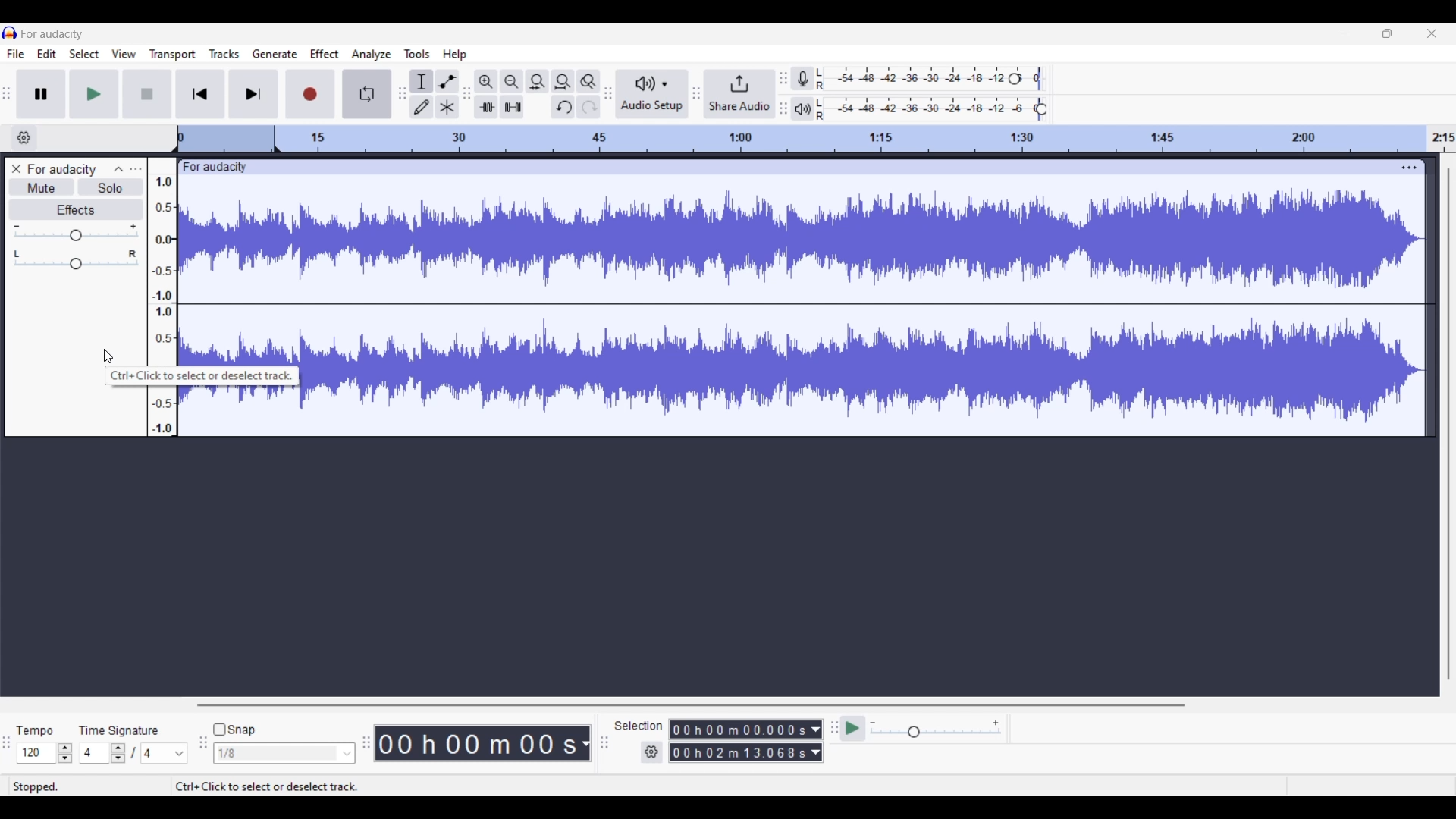  What do you see at coordinates (96, 754) in the screenshot?
I see `Type in time signature` at bounding box center [96, 754].